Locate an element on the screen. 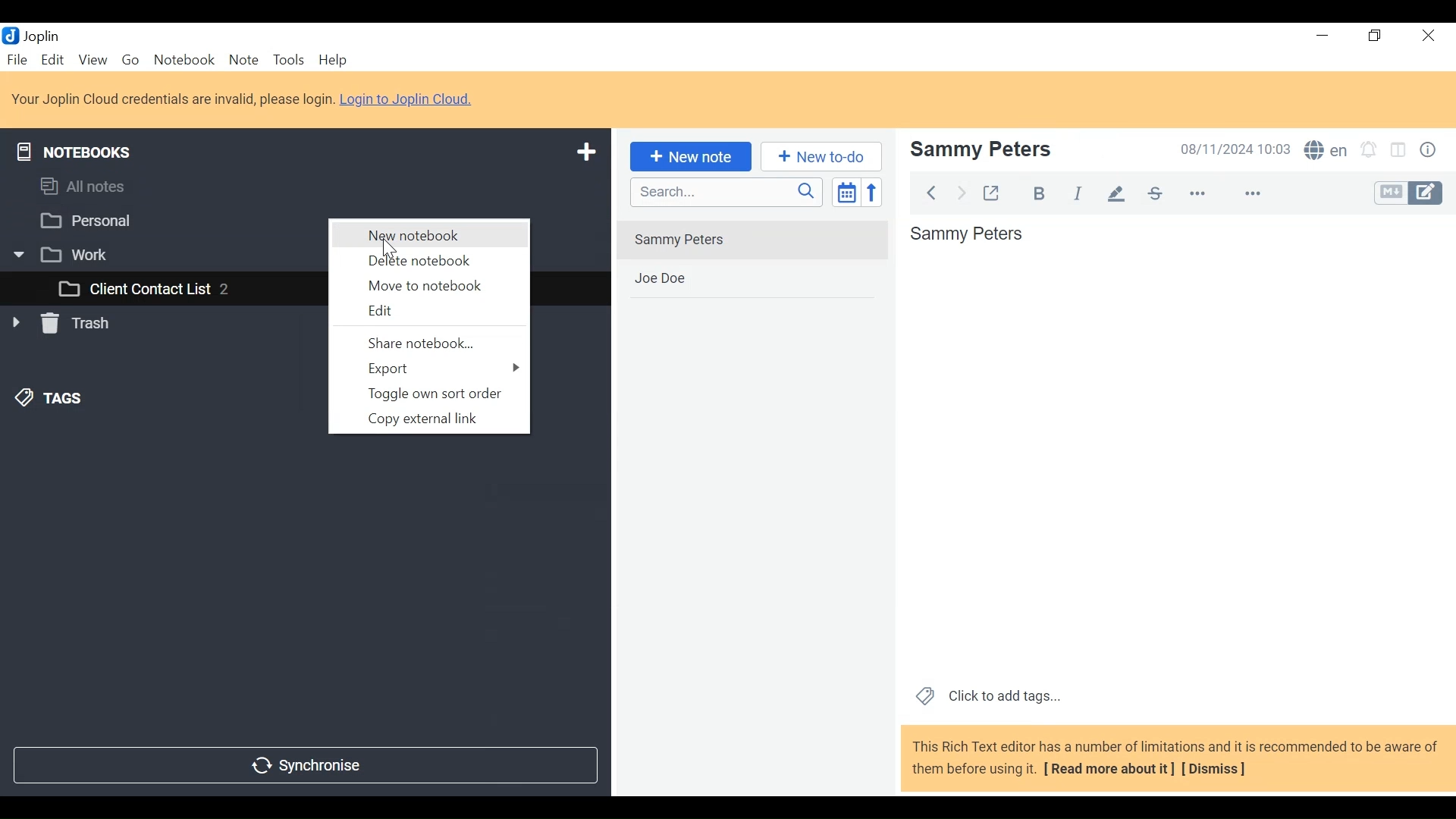  Toggle own sort order is located at coordinates (425, 394).